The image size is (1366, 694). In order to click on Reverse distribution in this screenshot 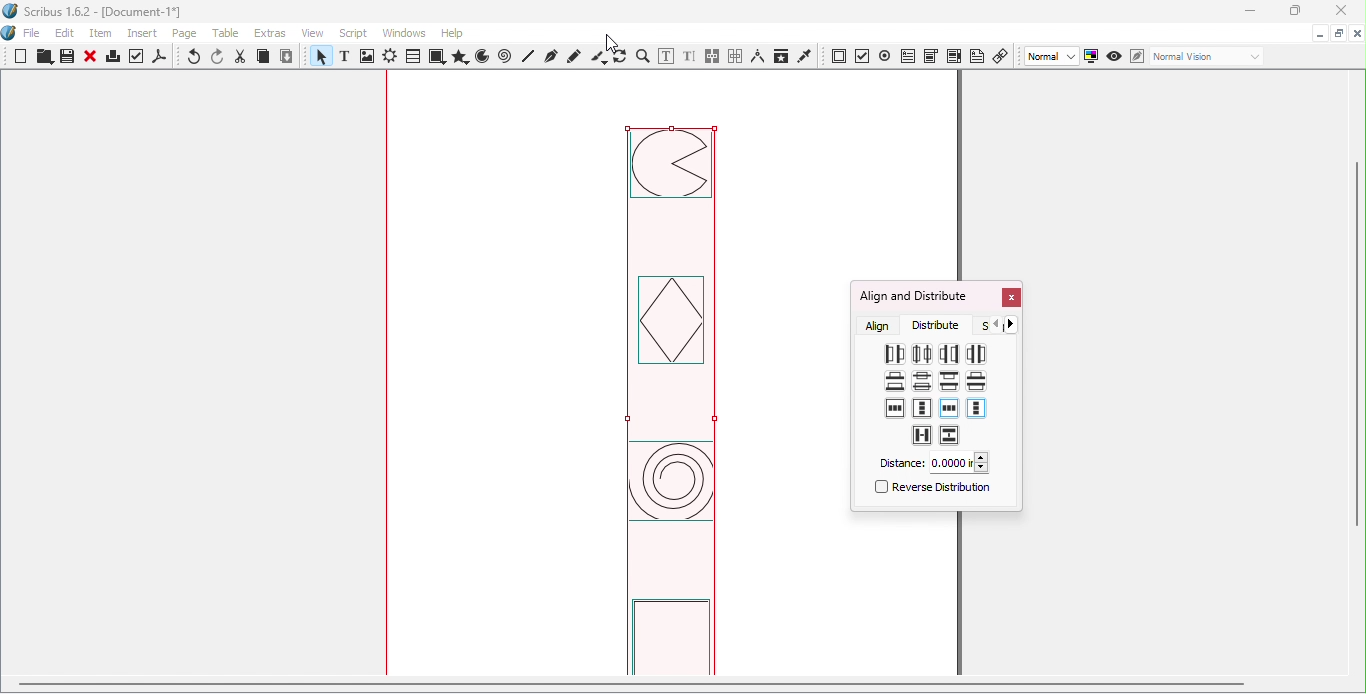, I will do `click(930, 490)`.